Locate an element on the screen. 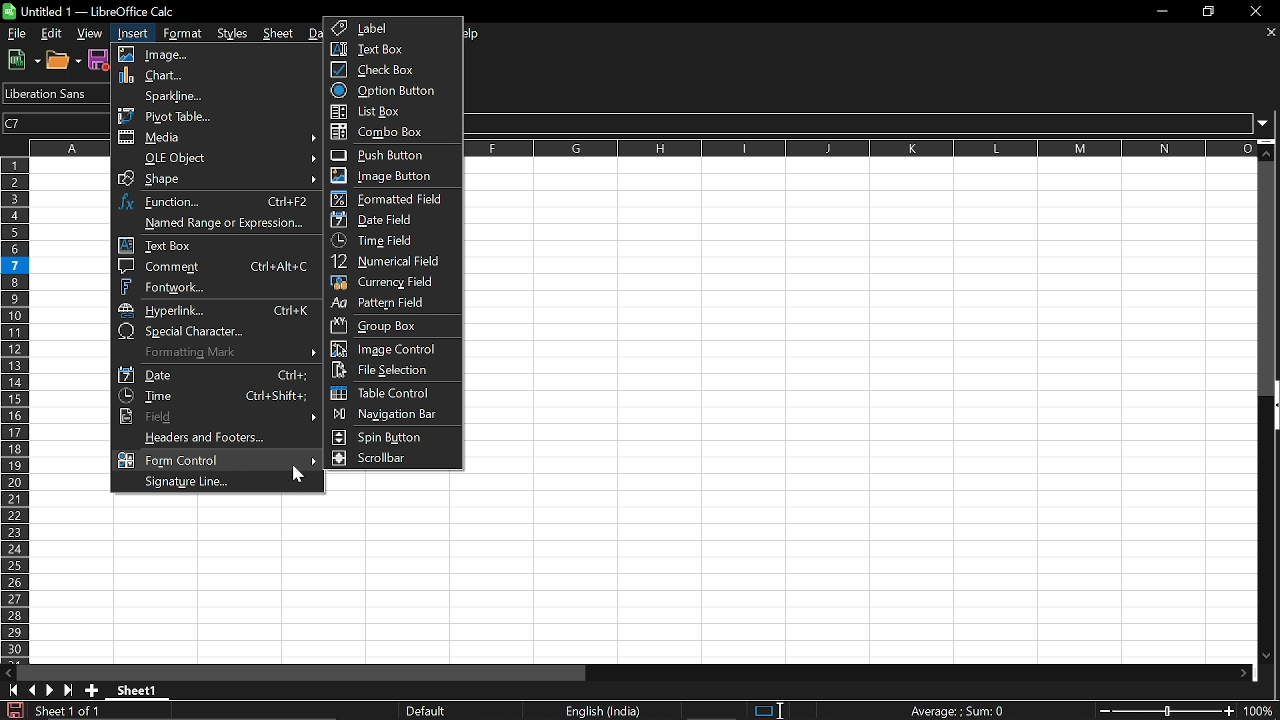 This screenshot has height=720, width=1280. File section is located at coordinates (390, 370).